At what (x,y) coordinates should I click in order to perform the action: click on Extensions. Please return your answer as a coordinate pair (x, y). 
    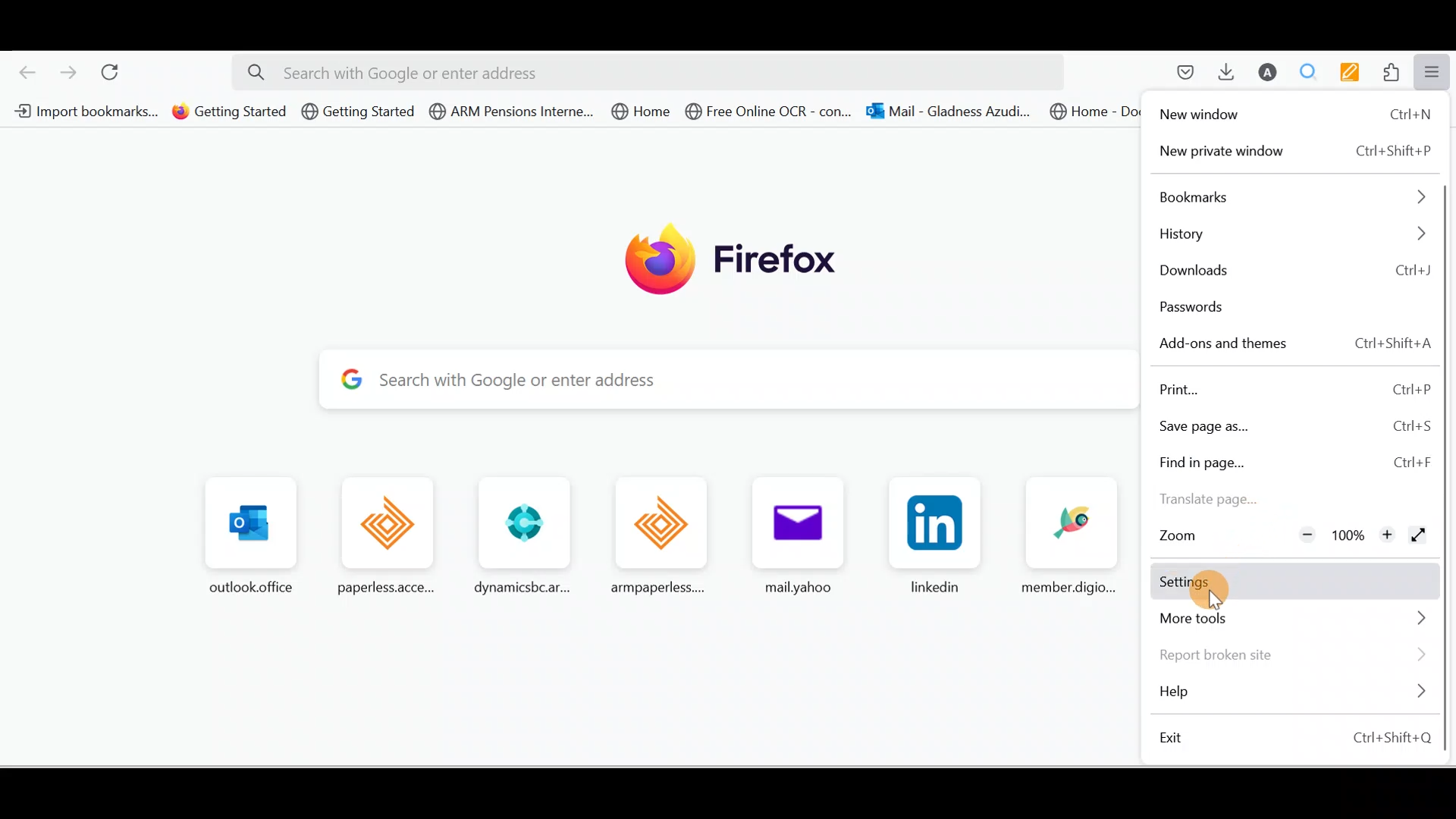
    Looking at the image, I should click on (1395, 73).